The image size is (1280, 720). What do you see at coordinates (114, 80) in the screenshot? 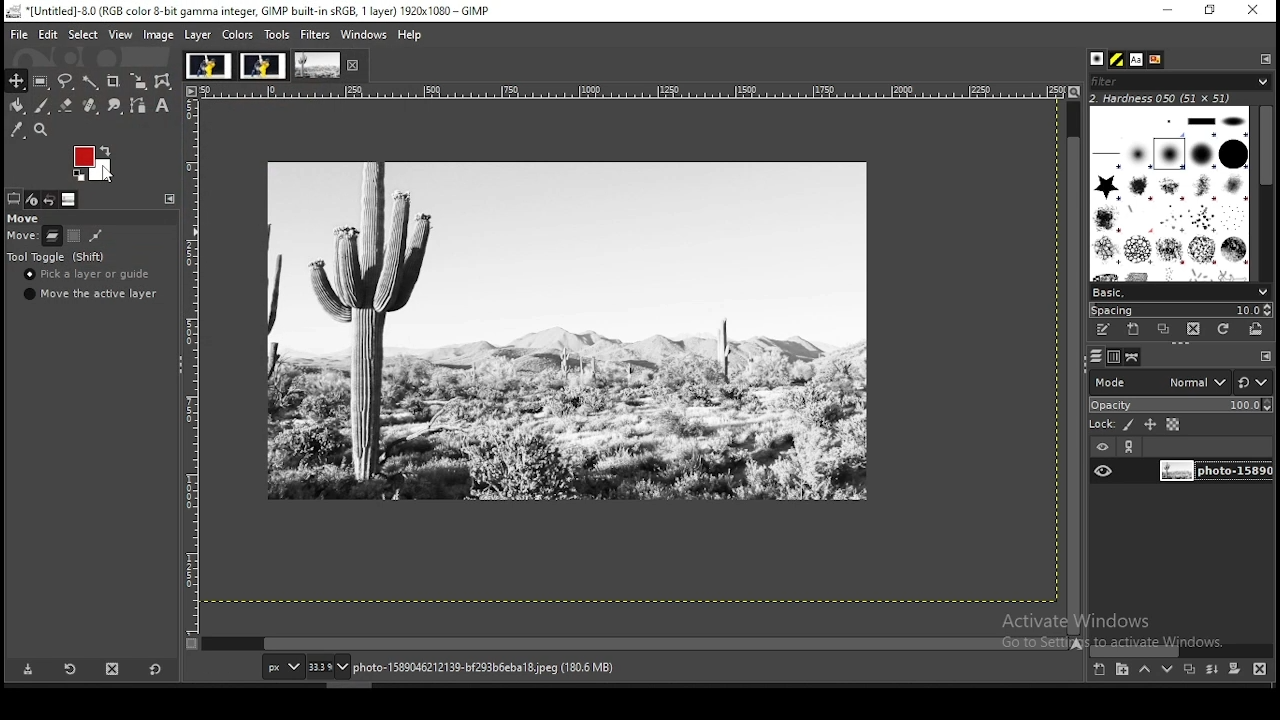
I see `crop tool` at bounding box center [114, 80].